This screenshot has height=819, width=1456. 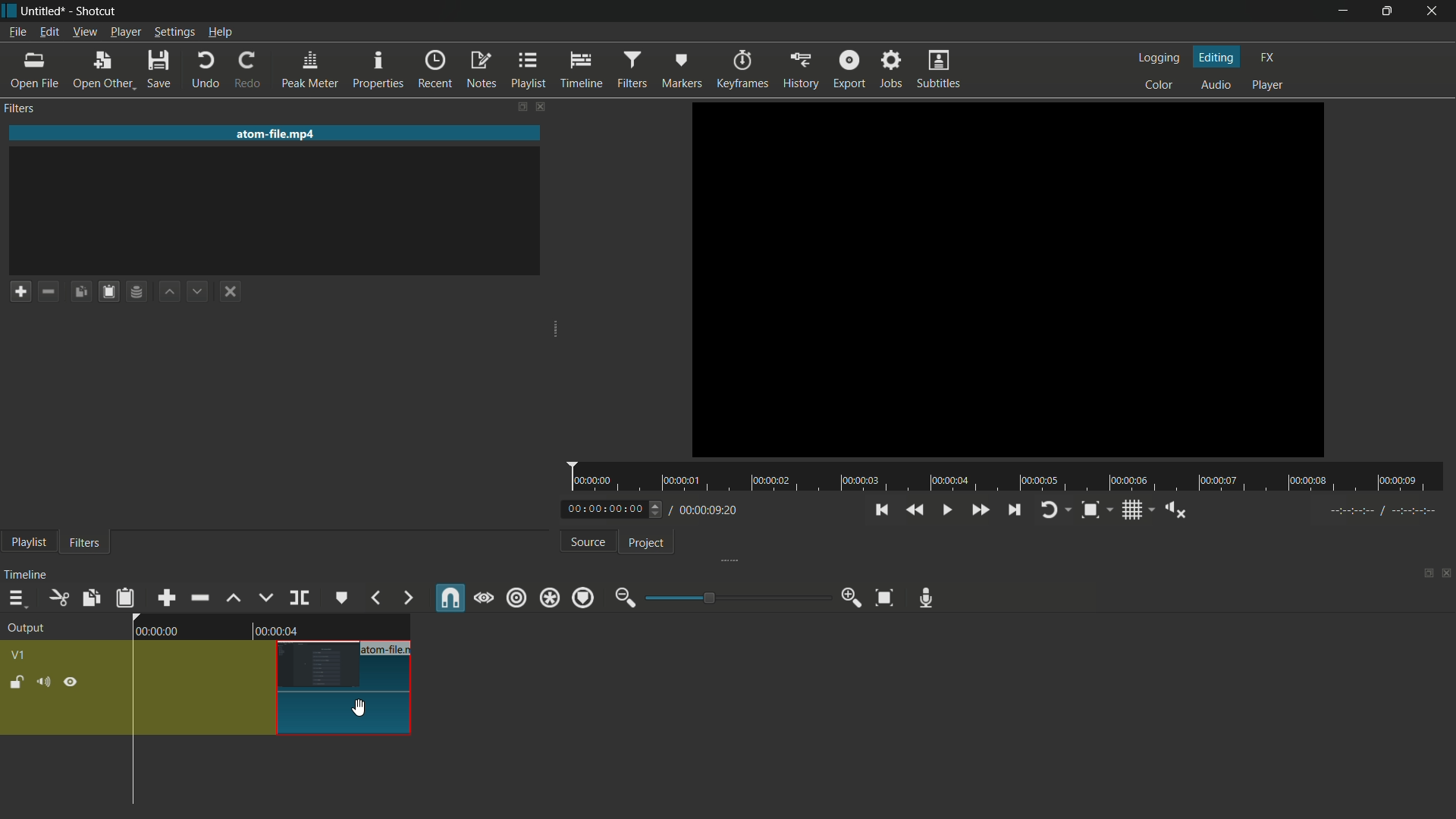 What do you see at coordinates (1435, 11) in the screenshot?
I see `close app` at bounding box center [1435, 11].